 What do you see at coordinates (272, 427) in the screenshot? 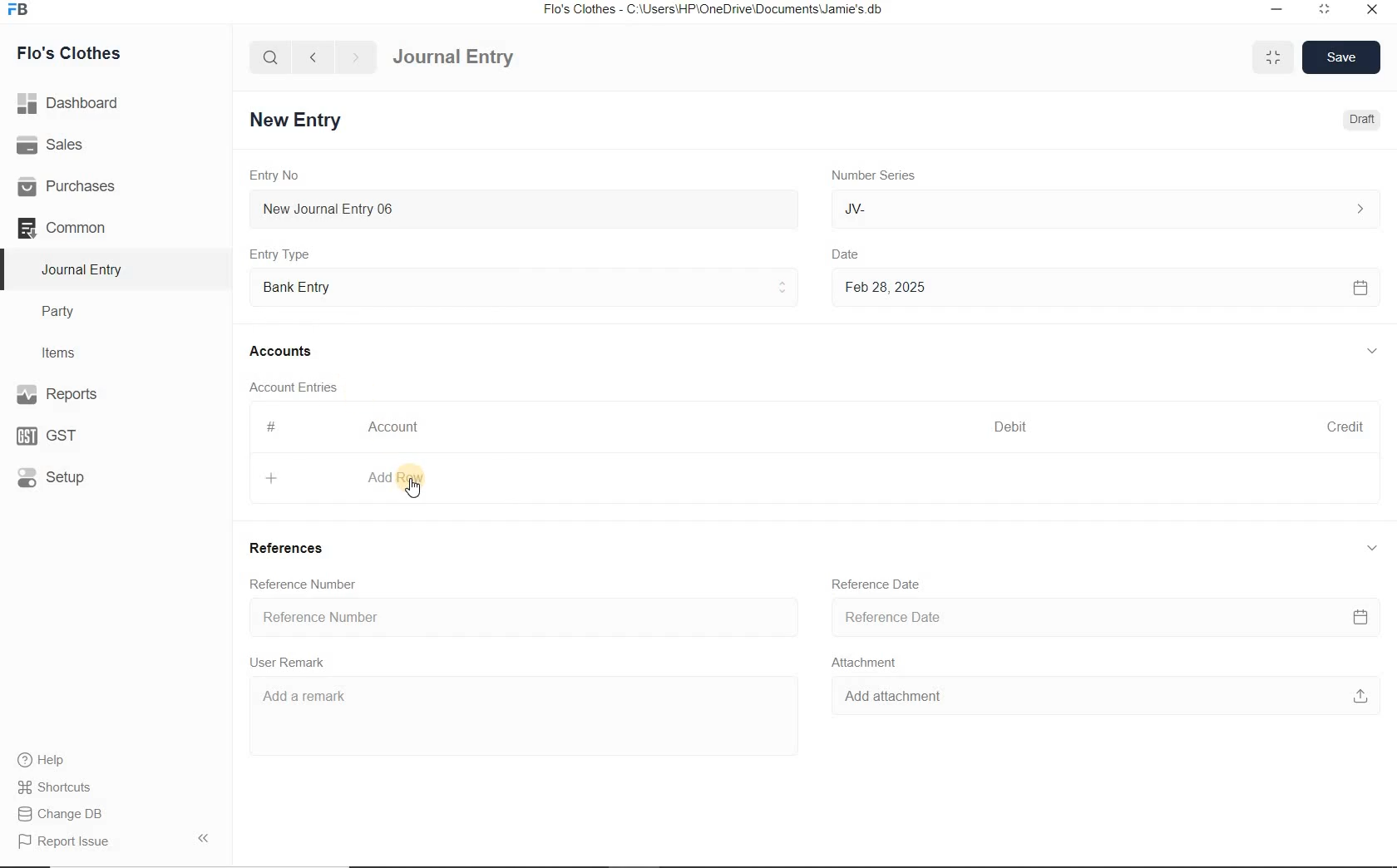
I see `#` at bounding box center [272, 427].